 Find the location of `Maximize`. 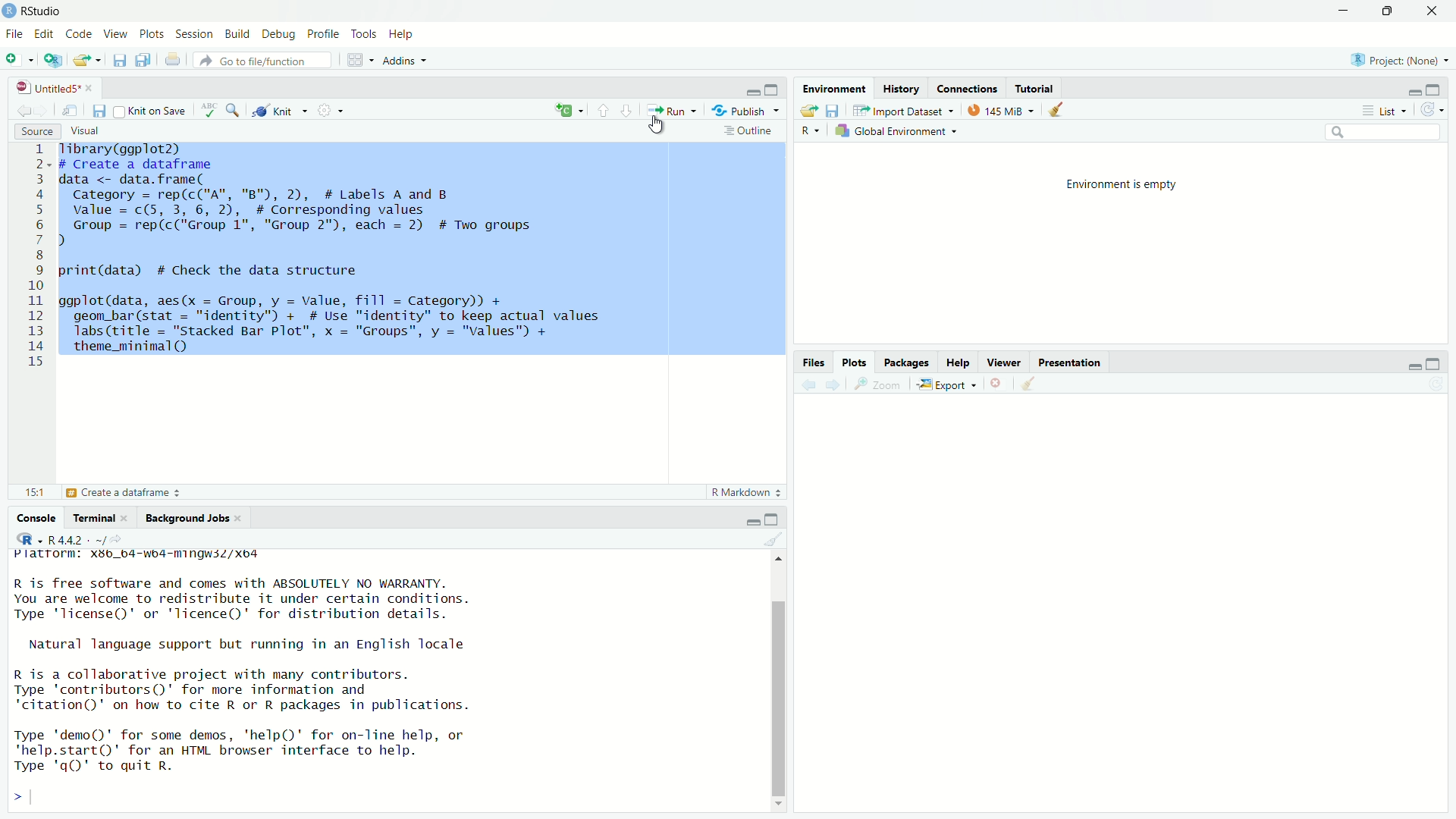

Maximize is located at coordinates (773, 89).